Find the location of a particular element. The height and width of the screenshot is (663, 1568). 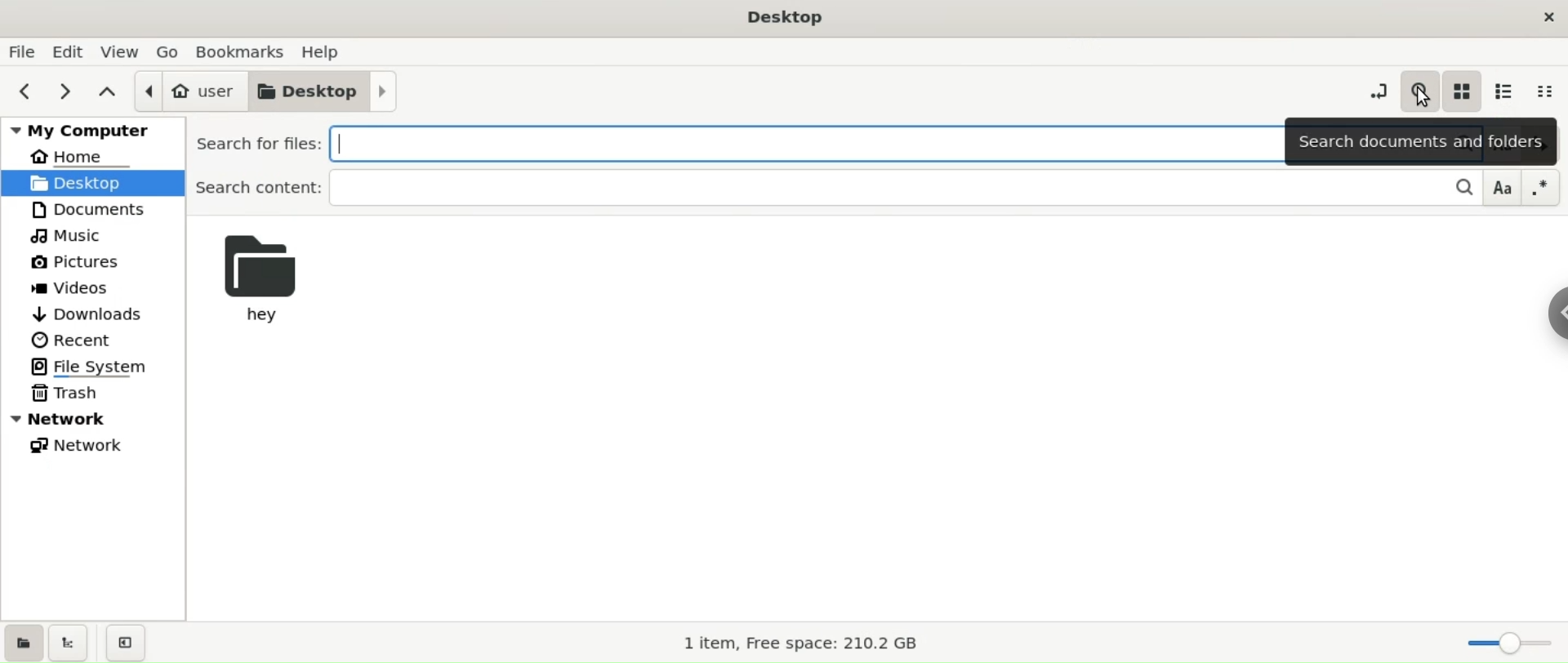

compact view is located at coordinates (1548, 92).